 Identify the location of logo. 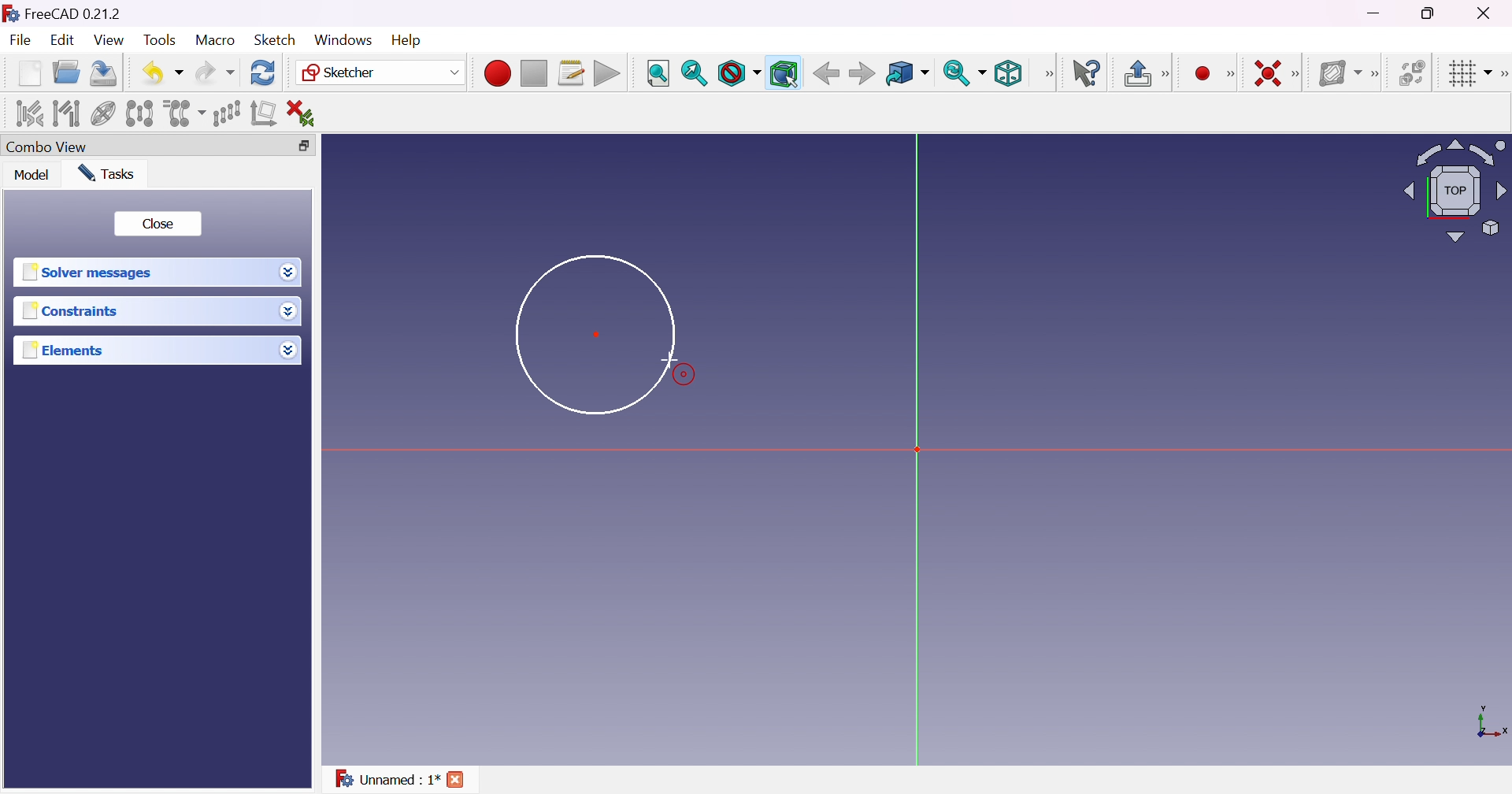
(10, 12).